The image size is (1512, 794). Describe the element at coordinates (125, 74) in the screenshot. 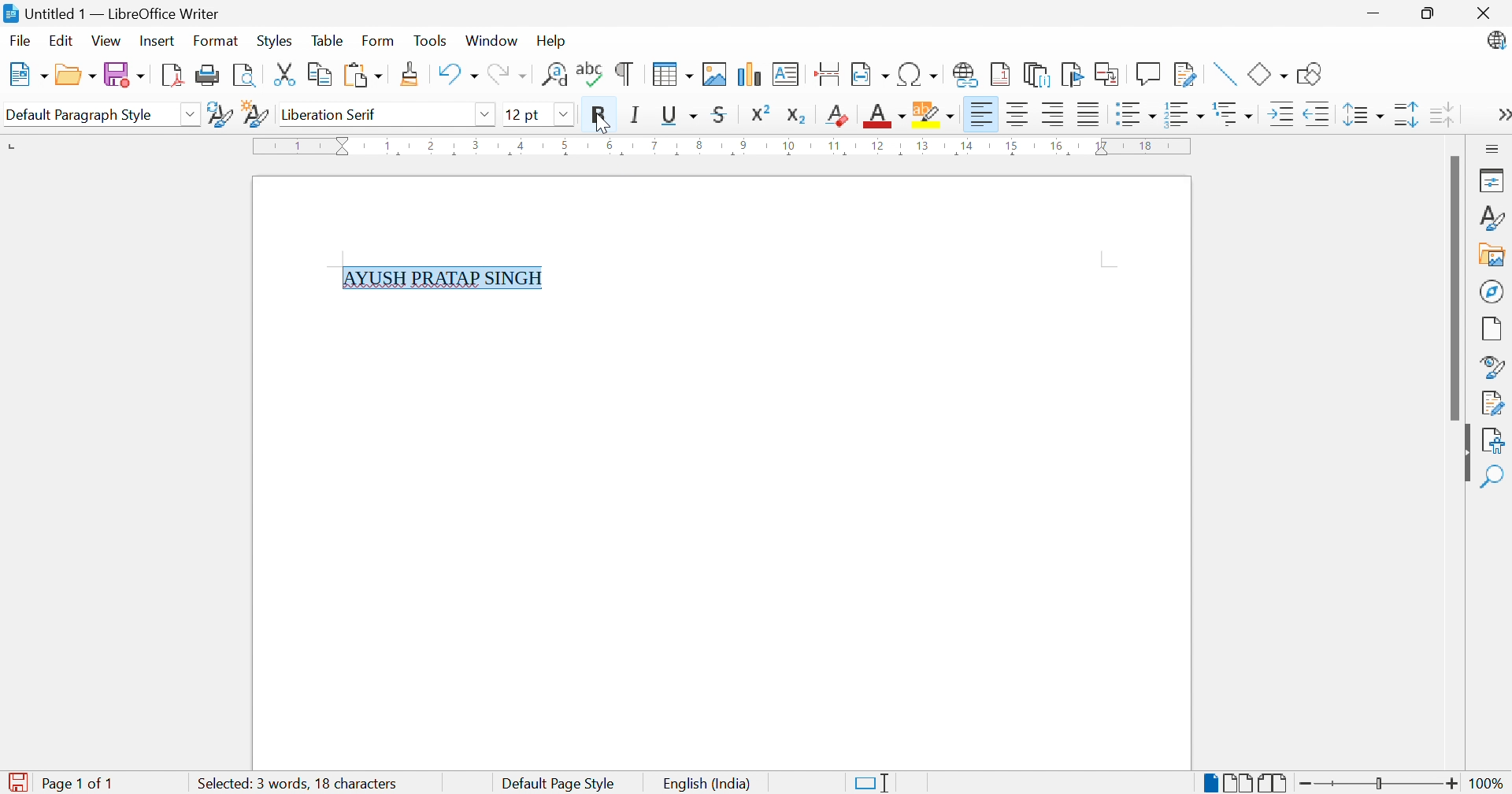

I see `Save` at that location.